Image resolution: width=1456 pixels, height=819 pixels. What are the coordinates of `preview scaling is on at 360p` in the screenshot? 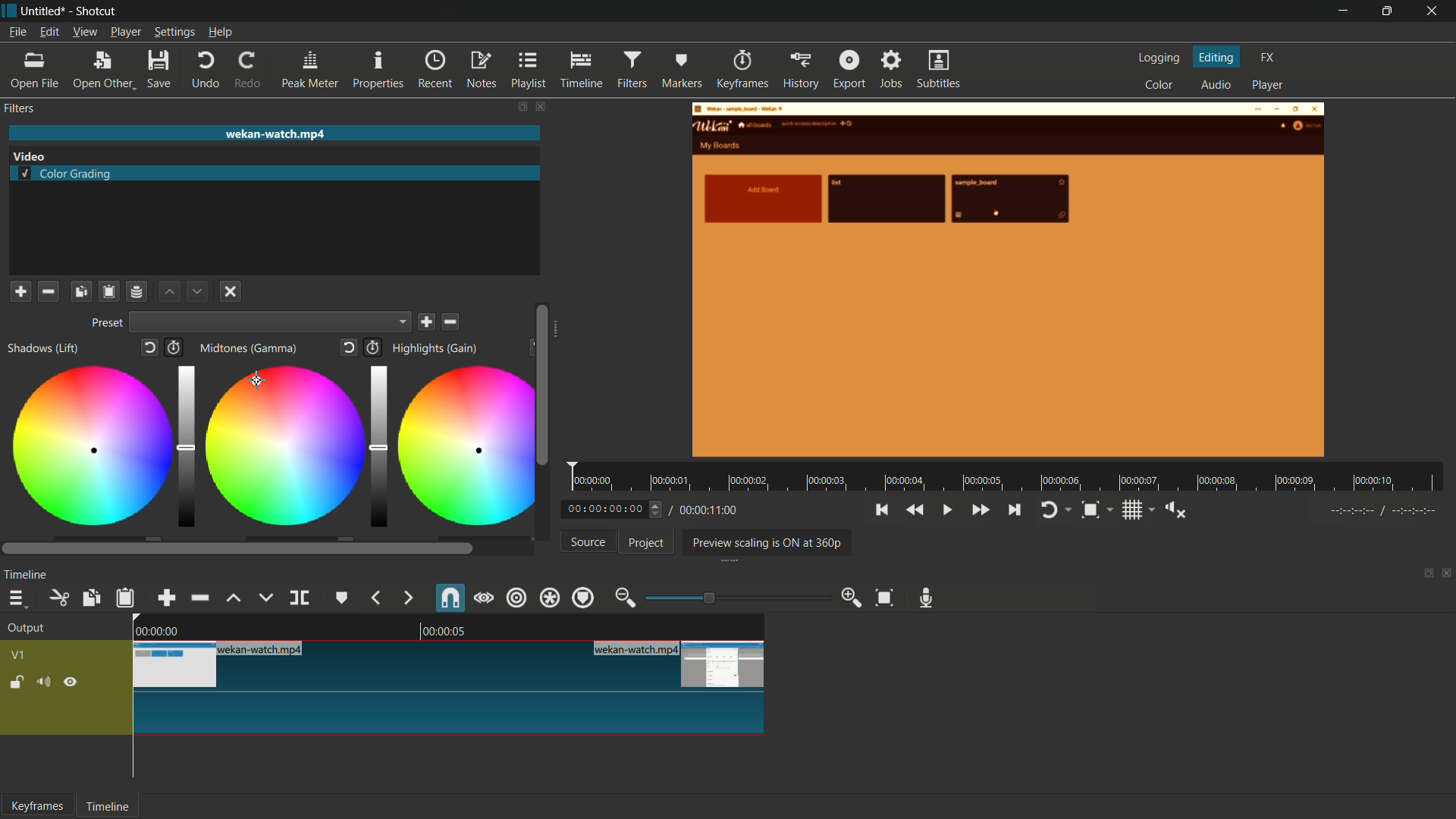 It's located at (767, 541).